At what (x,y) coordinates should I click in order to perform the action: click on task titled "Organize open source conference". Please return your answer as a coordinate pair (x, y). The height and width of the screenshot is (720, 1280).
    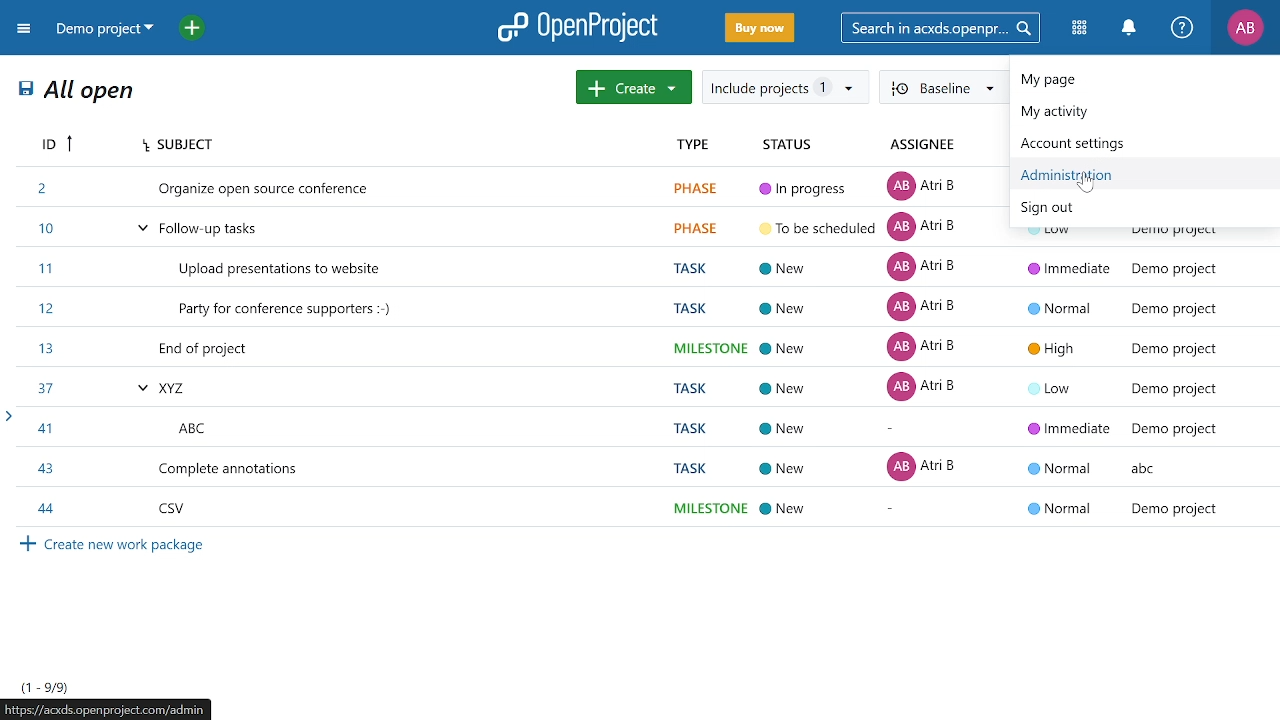
    Looking at the image, I should click on (512, 186).